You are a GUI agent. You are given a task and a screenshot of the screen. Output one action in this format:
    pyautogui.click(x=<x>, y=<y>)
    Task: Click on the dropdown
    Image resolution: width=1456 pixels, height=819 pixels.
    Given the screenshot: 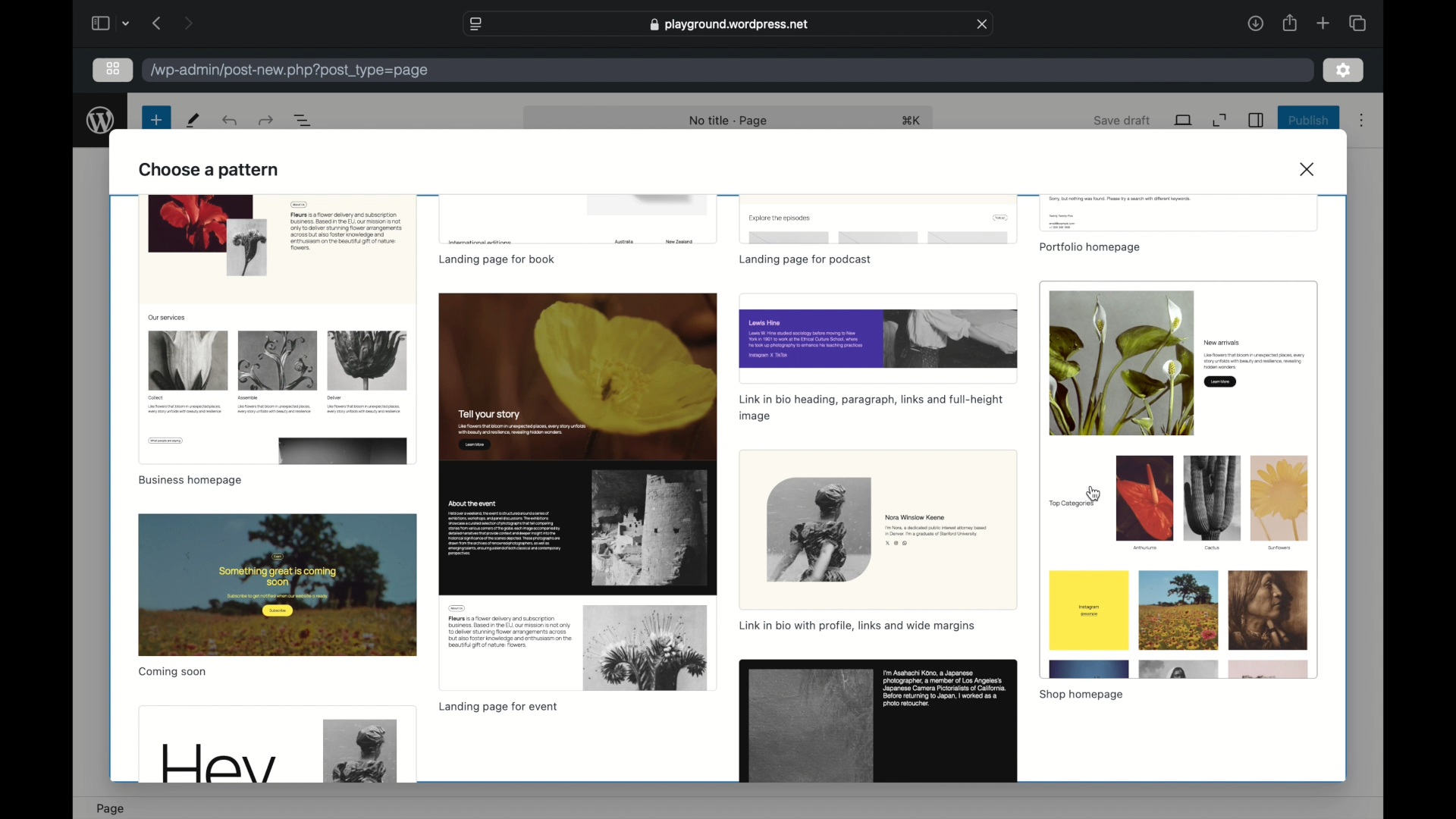 What is the action you would take?
    pyautogui.click(x=128, y=23)
    